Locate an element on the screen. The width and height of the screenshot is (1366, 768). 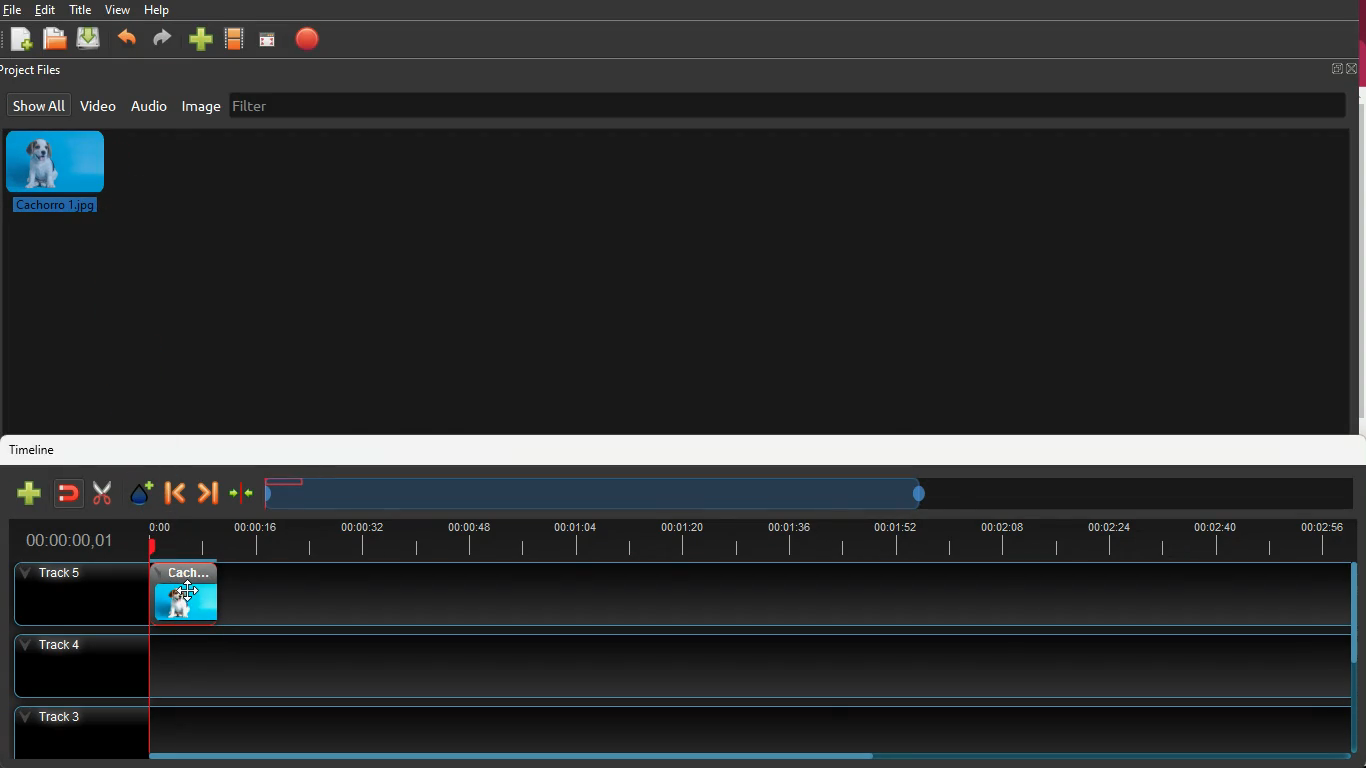
timeframe is located at coordinates (597, 491).